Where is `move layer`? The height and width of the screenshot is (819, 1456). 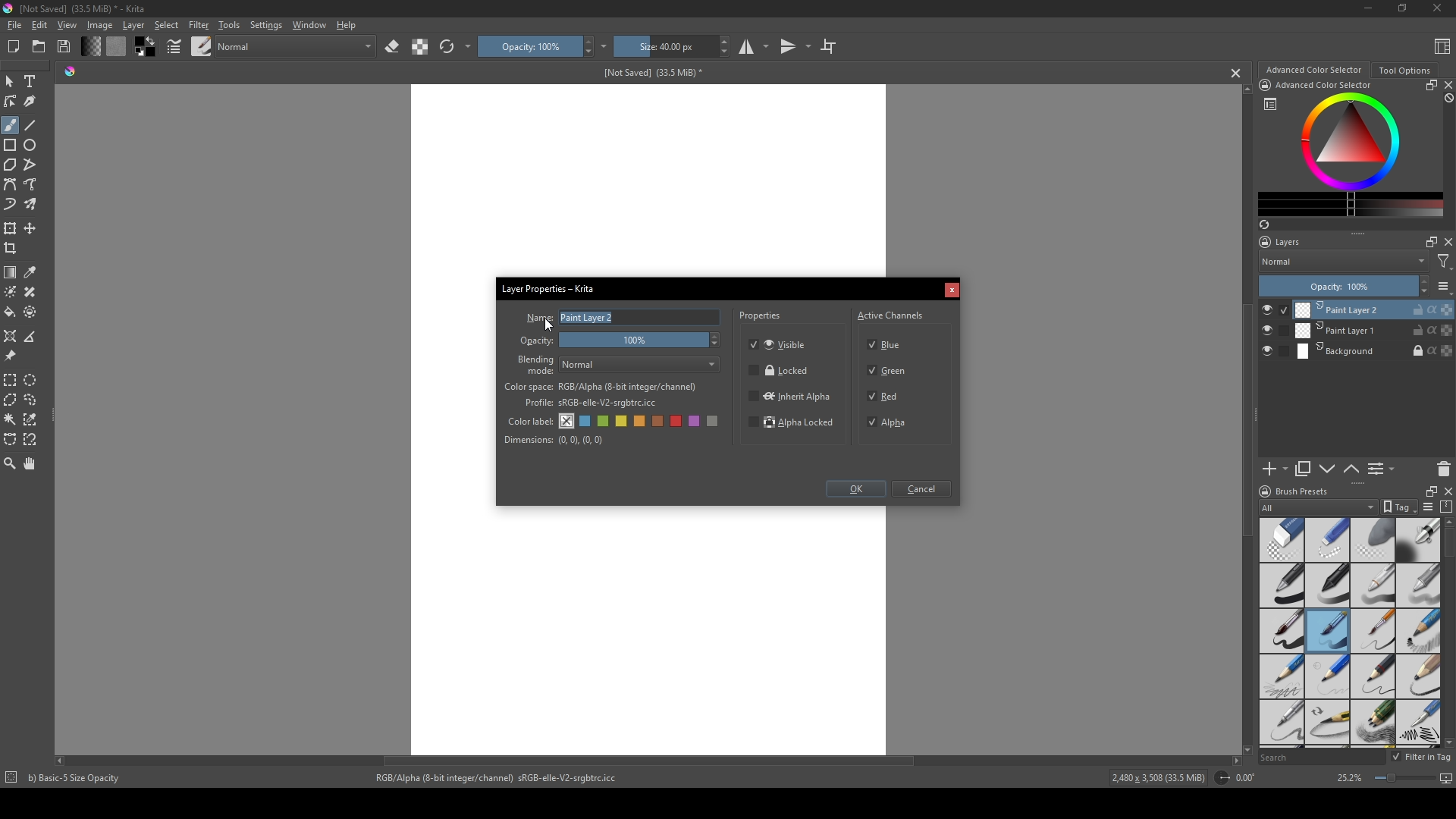
move layer is located at coordinates (30, 228).